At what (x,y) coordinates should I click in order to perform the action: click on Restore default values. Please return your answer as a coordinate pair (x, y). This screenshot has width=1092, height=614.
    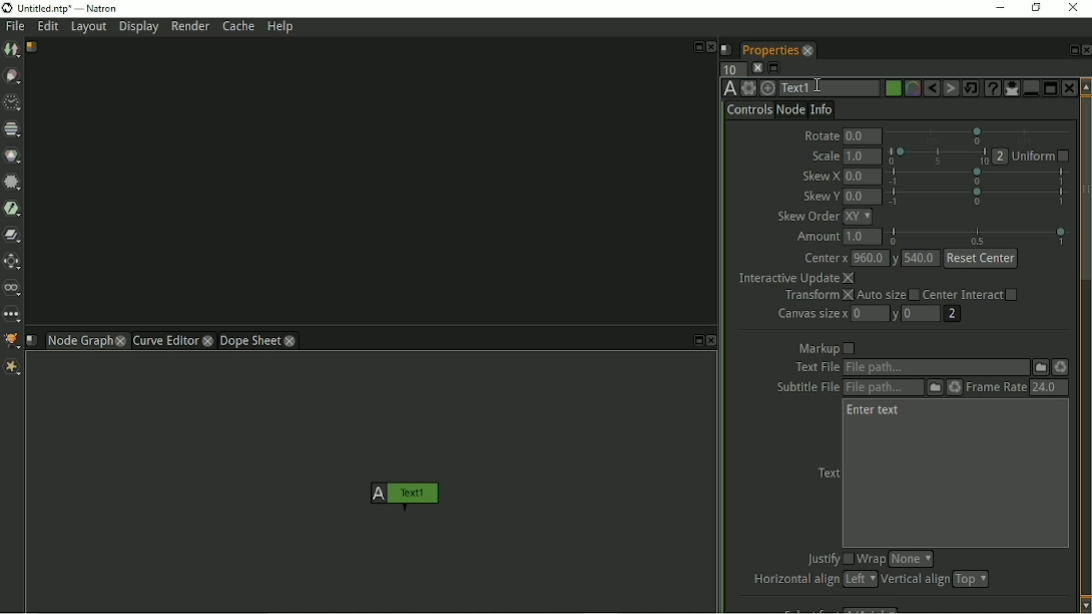
    Looking at the image, I should click on (971, 88).